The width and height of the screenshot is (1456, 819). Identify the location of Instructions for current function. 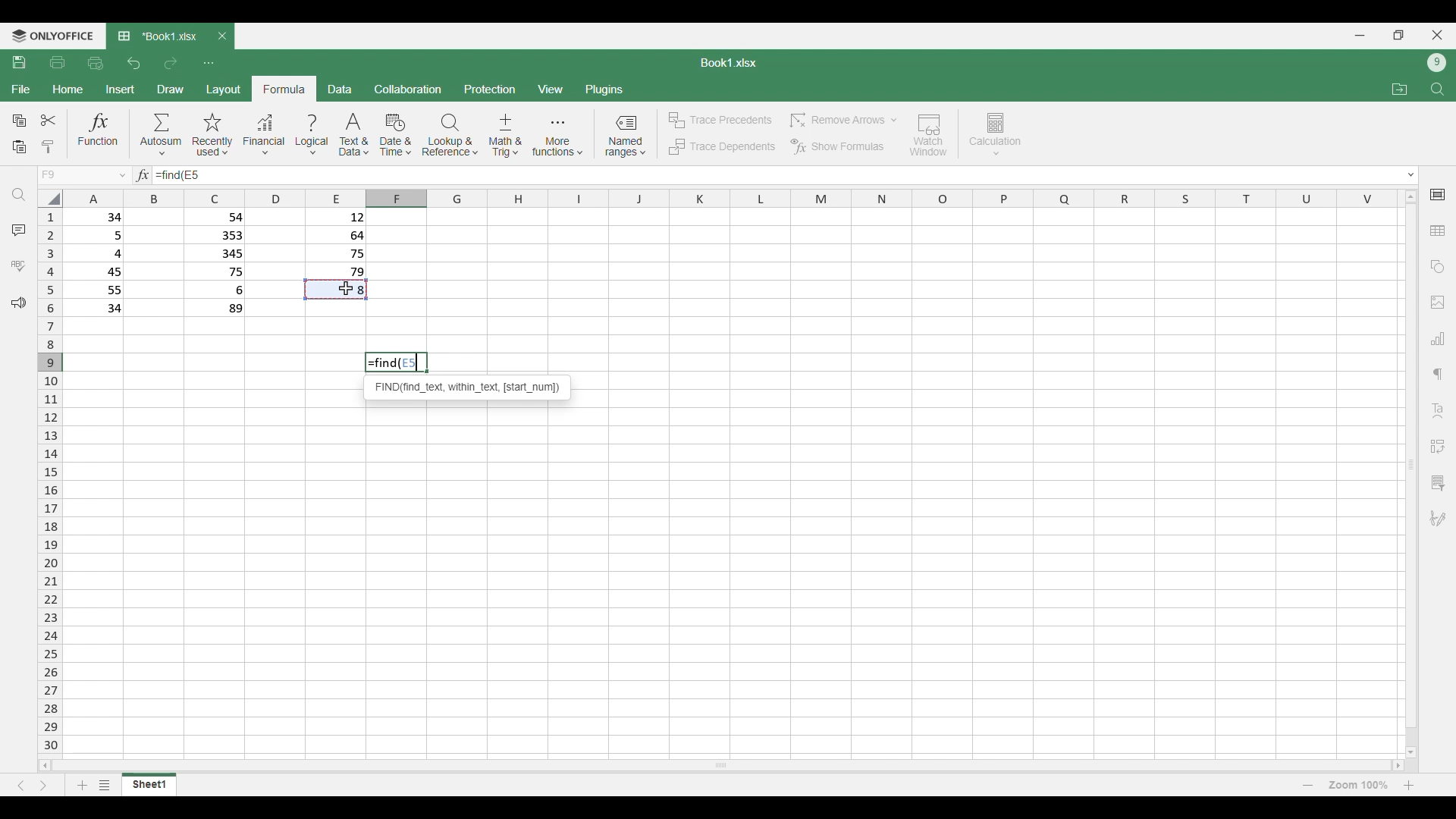
(468, 387).